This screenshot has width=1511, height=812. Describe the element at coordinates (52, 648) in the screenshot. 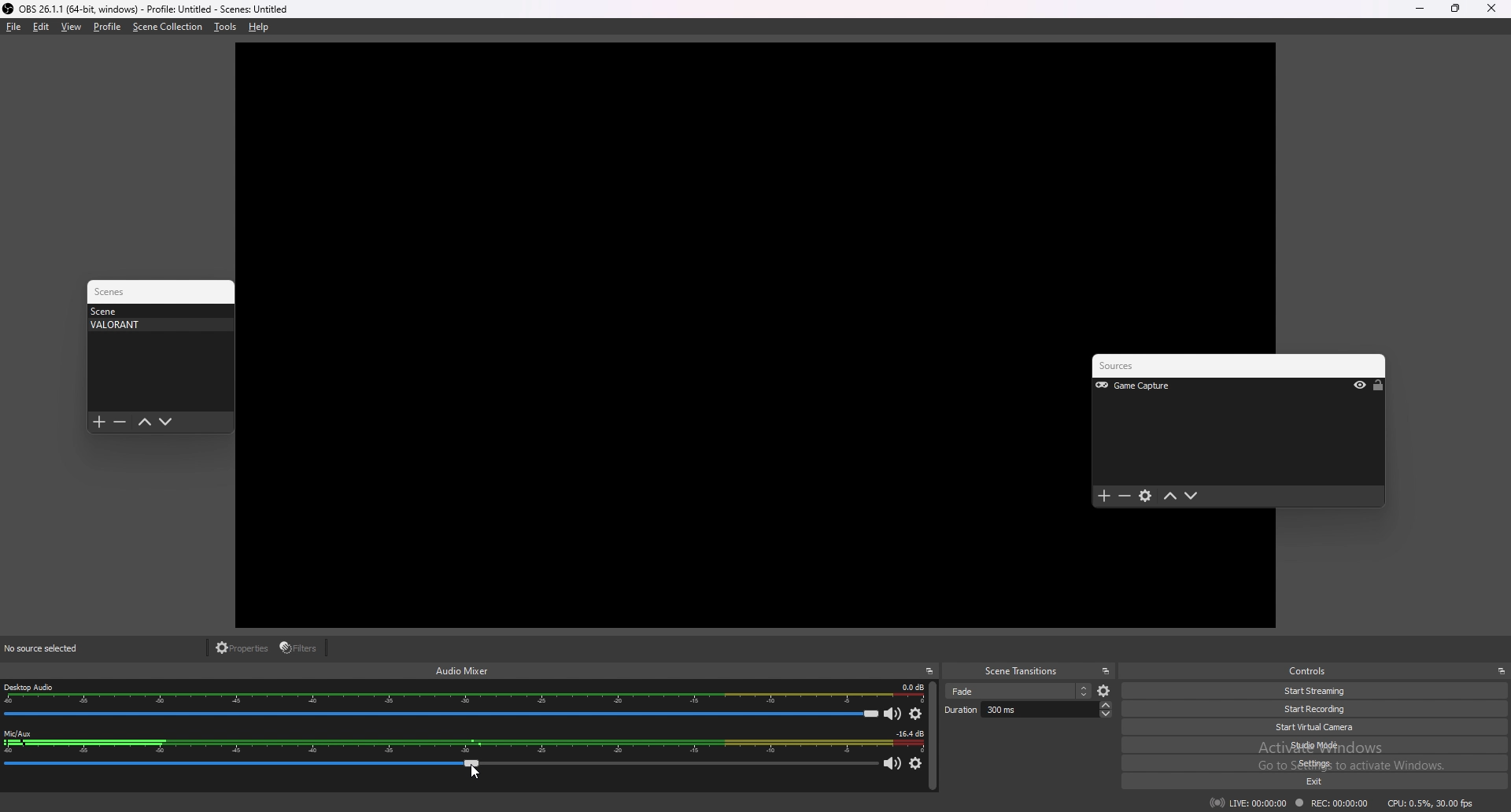

I see `source selected` at that location.